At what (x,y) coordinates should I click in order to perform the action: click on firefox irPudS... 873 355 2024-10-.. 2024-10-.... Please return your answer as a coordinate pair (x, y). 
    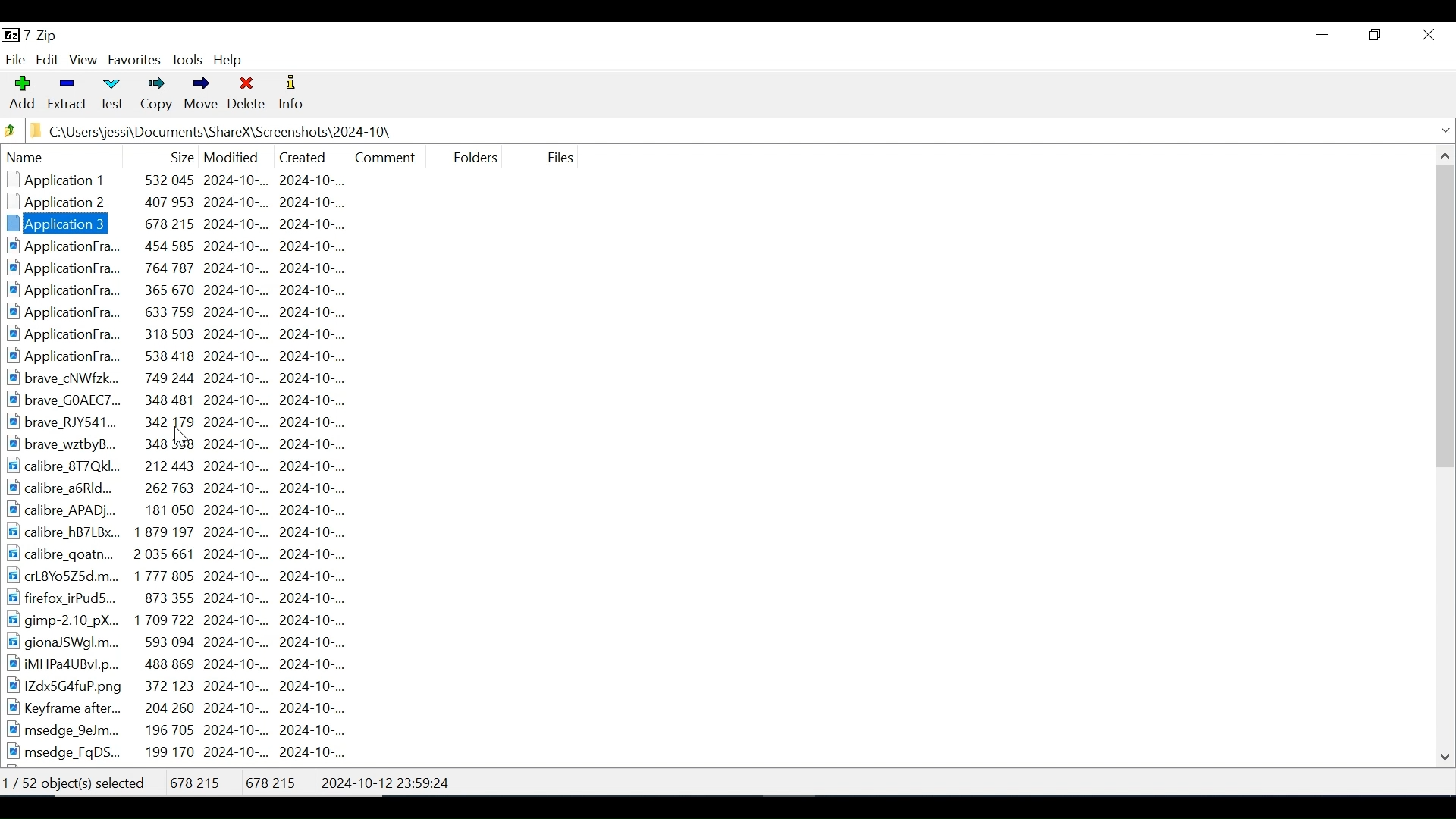
    Looking at the image, I should click on (187, 596).